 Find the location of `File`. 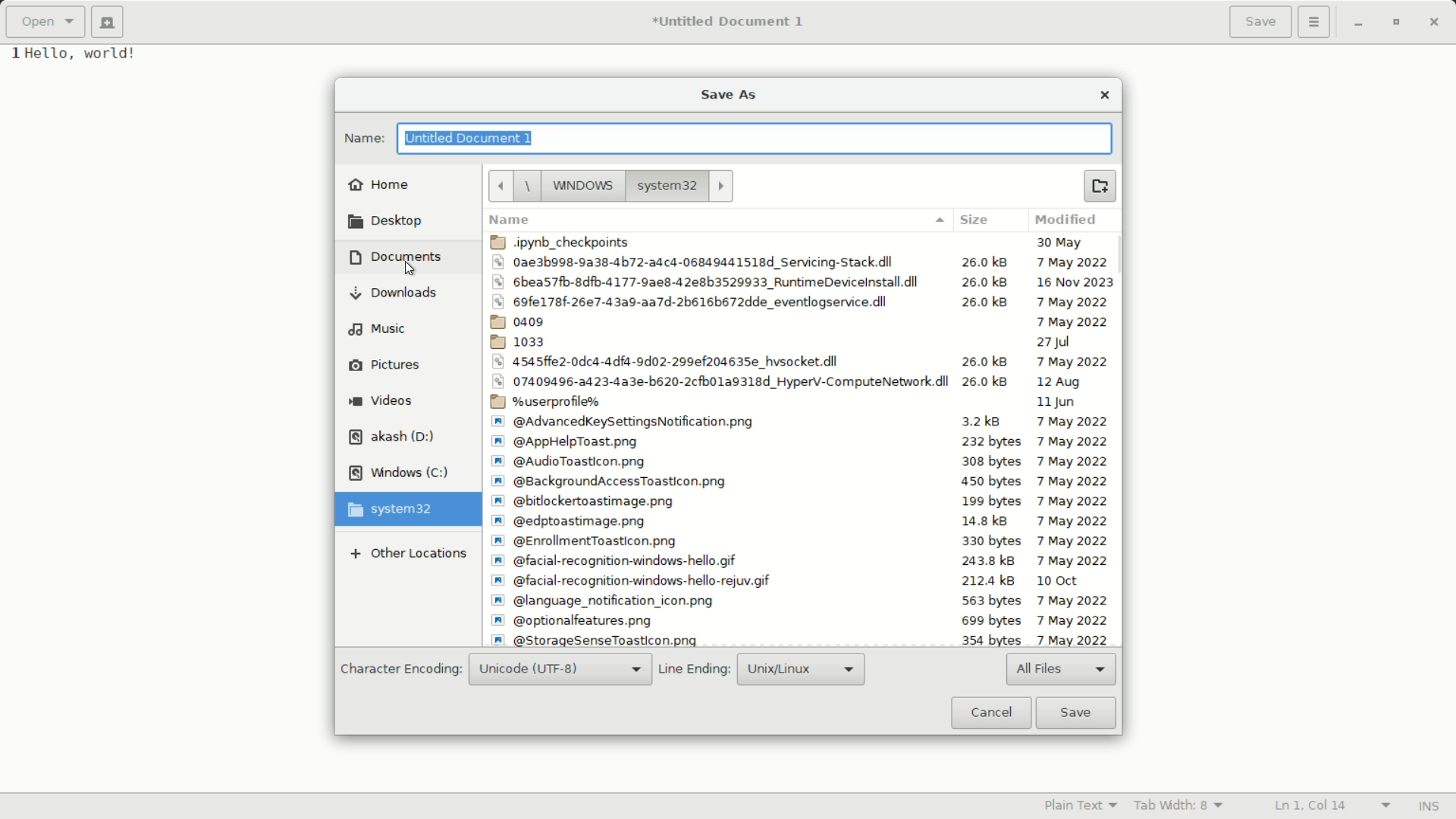

File is located at coordinates (799, 381).